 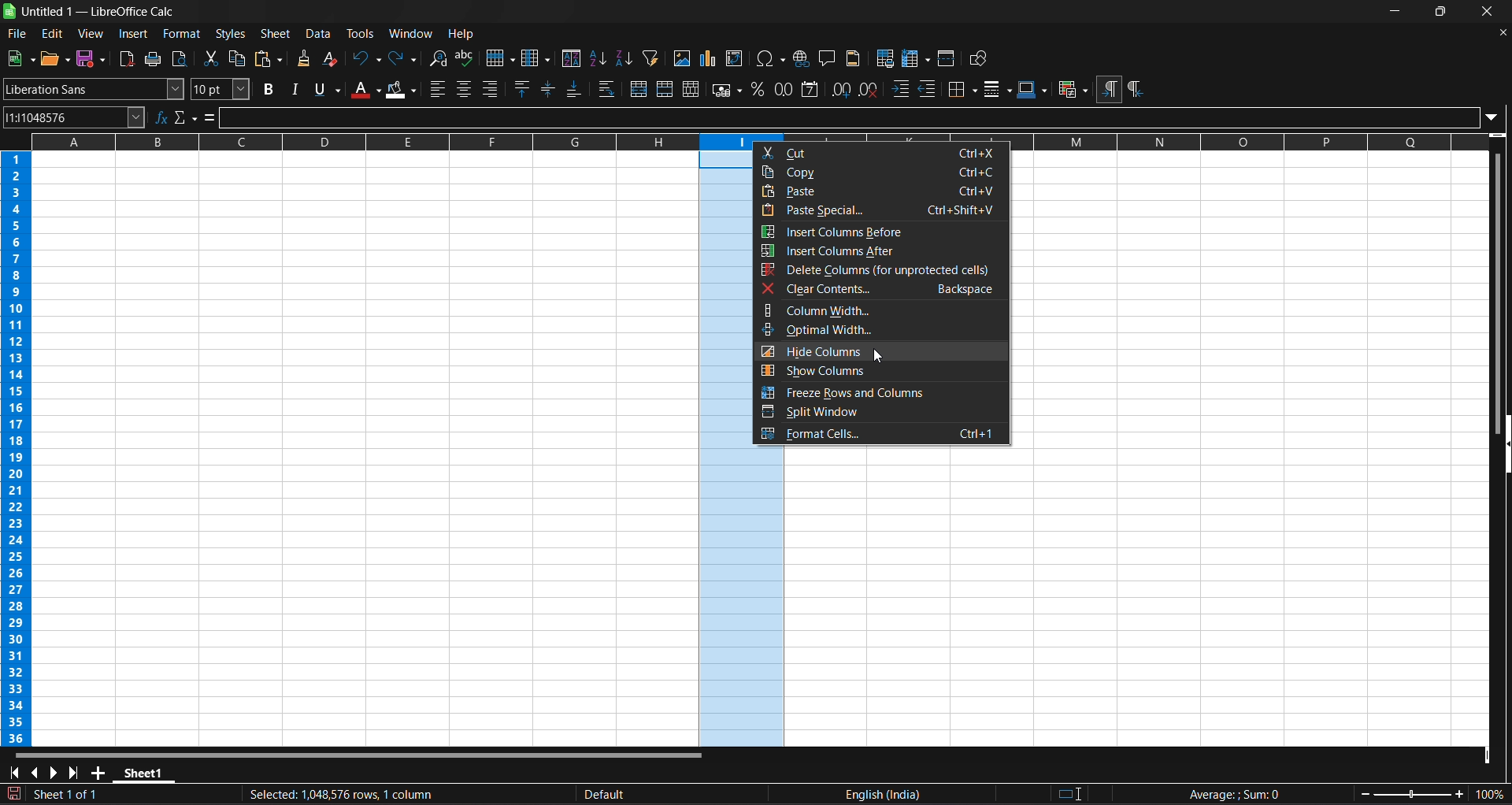 What do you see at coordinates (1230, 794) in the screenshot?
I see `formula` at bounding box center [1230, 794].